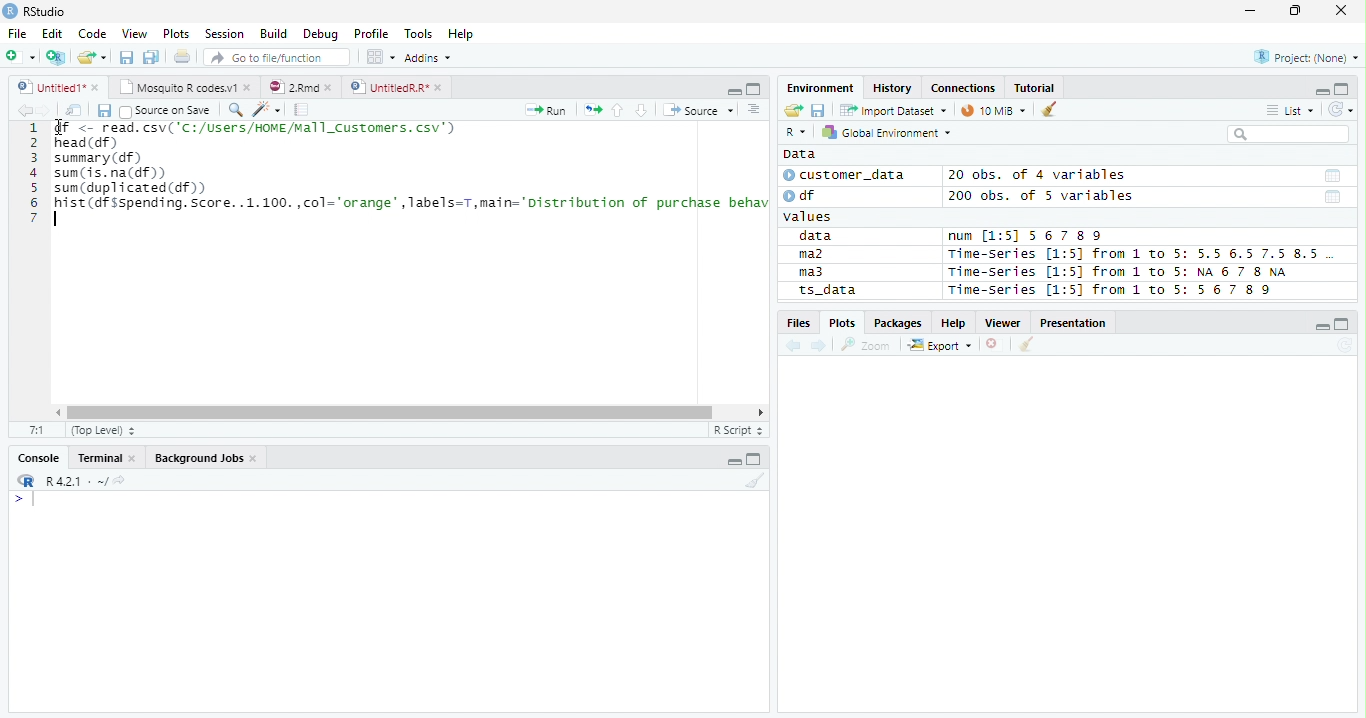 This screenshot has width=1366, height=718. What do you see at coordinates (737, 430) in the screenshot?
I see `R script` at bounding box center [737, 430].